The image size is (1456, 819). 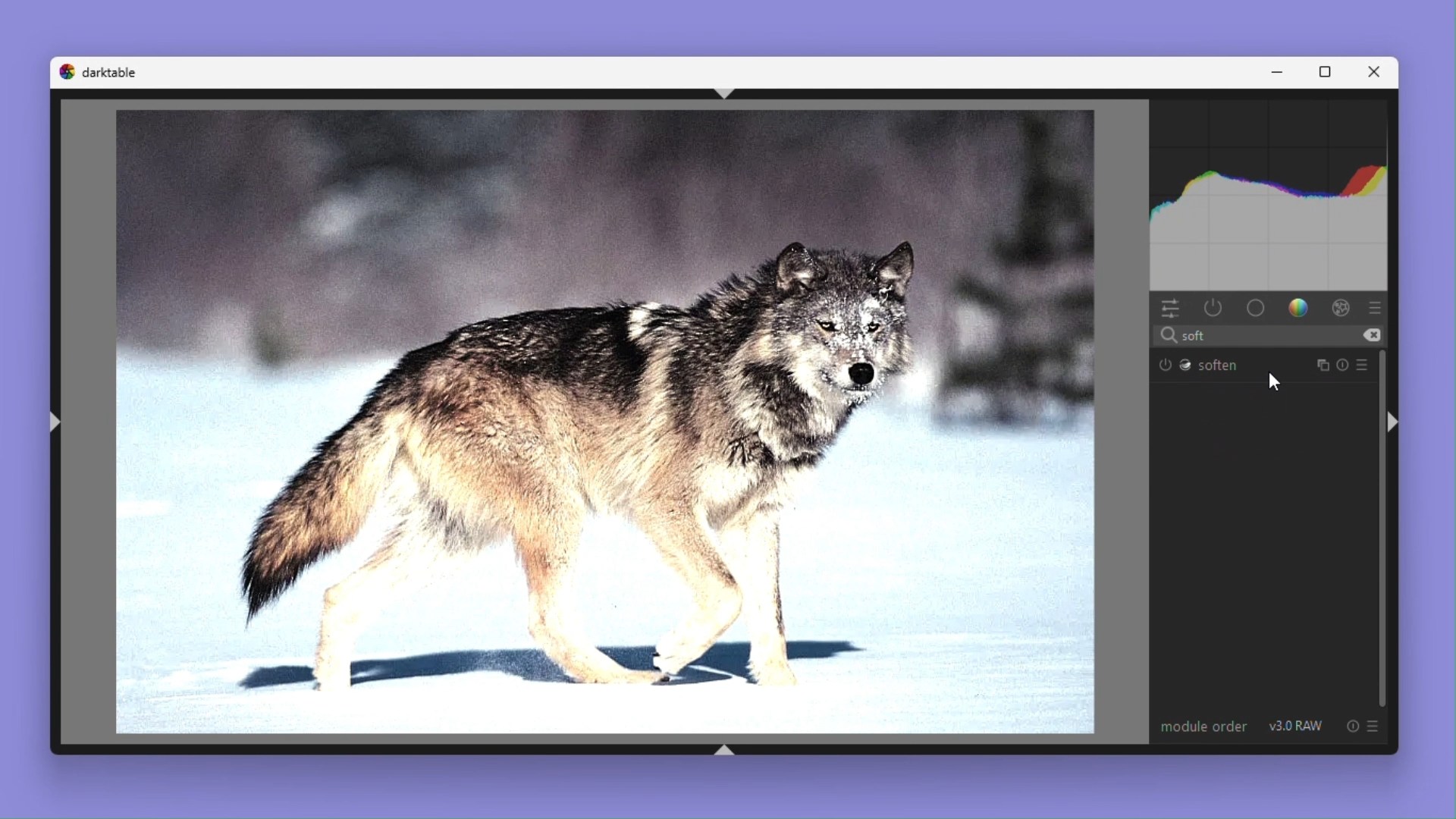 What do you see at coordinates (1301, 309) in the screenshot?
I see `Colour ` at bounding box center [1301, 309].